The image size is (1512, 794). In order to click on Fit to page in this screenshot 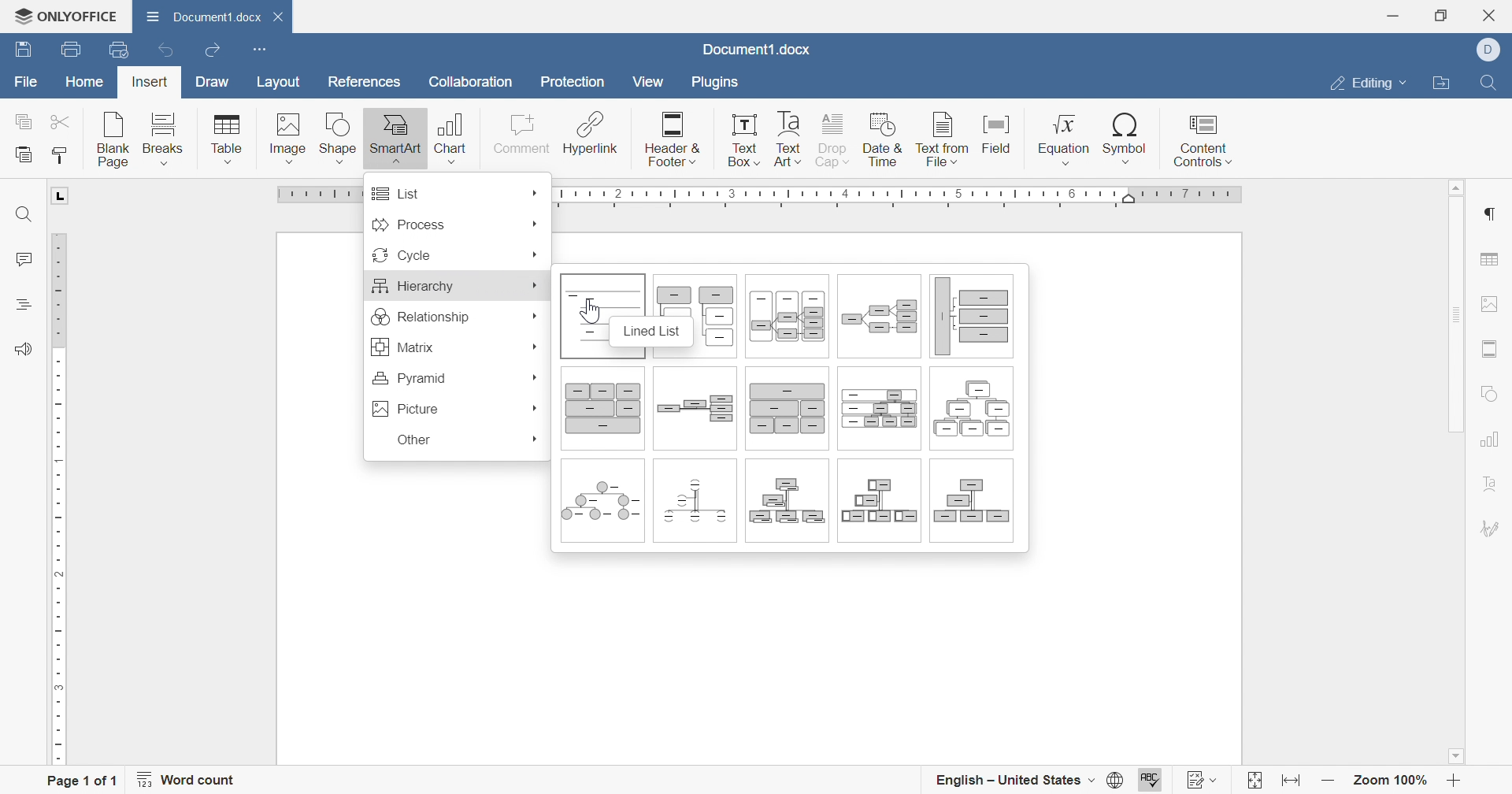, I will do `click(1255, 780)`.